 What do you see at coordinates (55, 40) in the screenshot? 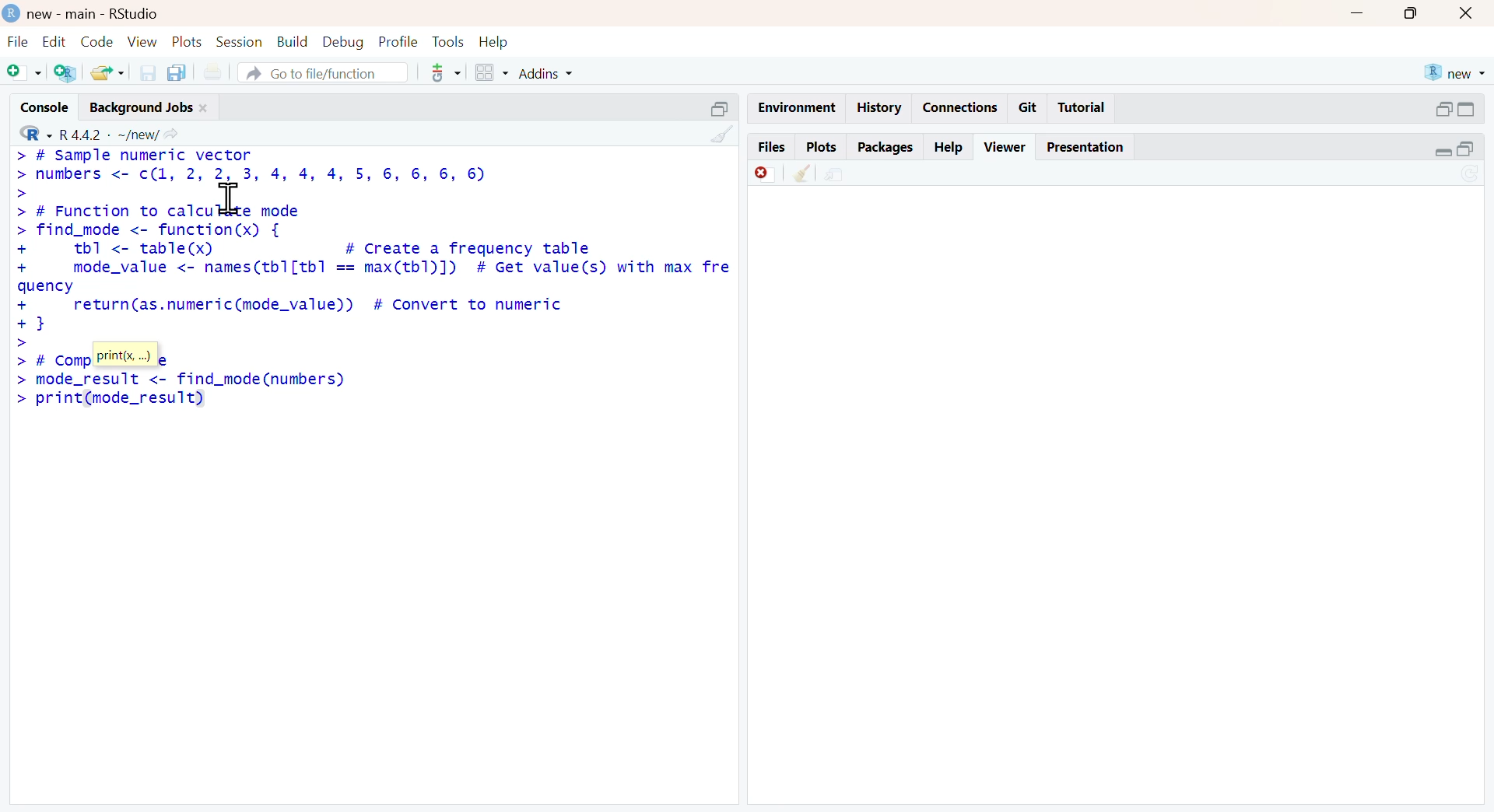
I see `Edit ` at bounding box center [55, 40].